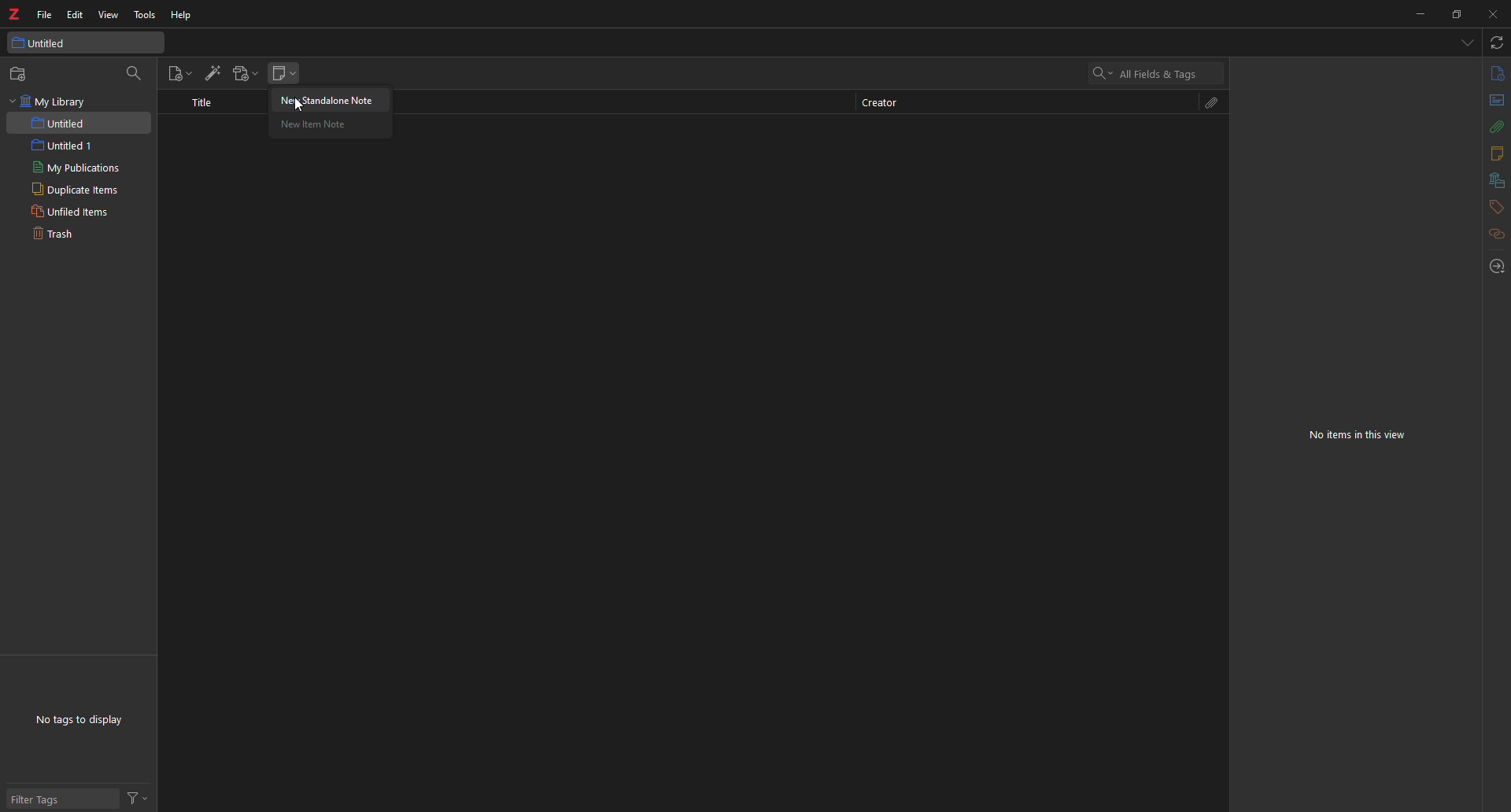 This screenshot has width=1511, height=812. Describe the element at coordinates (44, 14) in the screenshot. I see `file` at that location.